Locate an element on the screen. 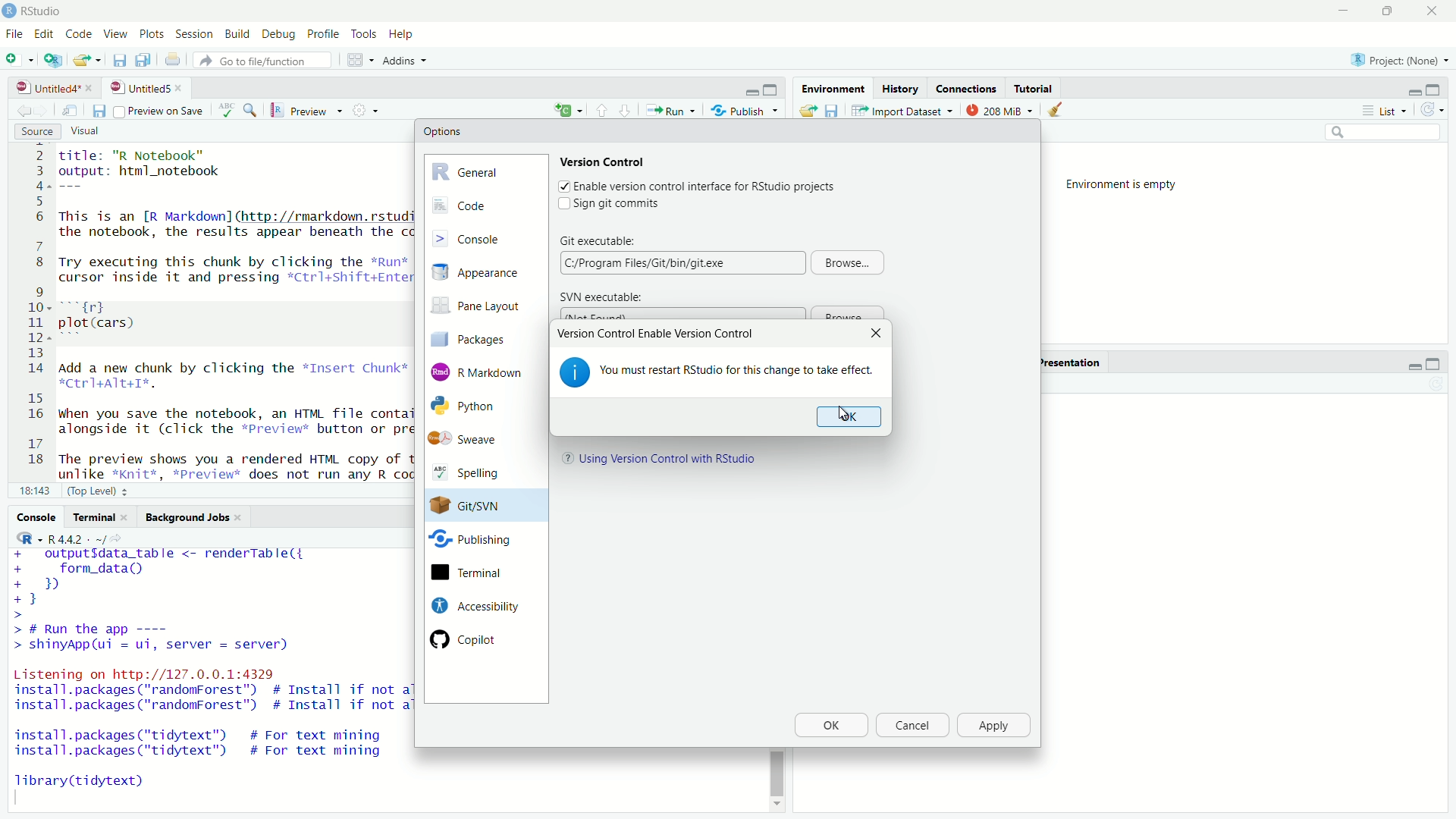 The image size is (1456, 819). Git executable: is located at coordinates (599, 239).